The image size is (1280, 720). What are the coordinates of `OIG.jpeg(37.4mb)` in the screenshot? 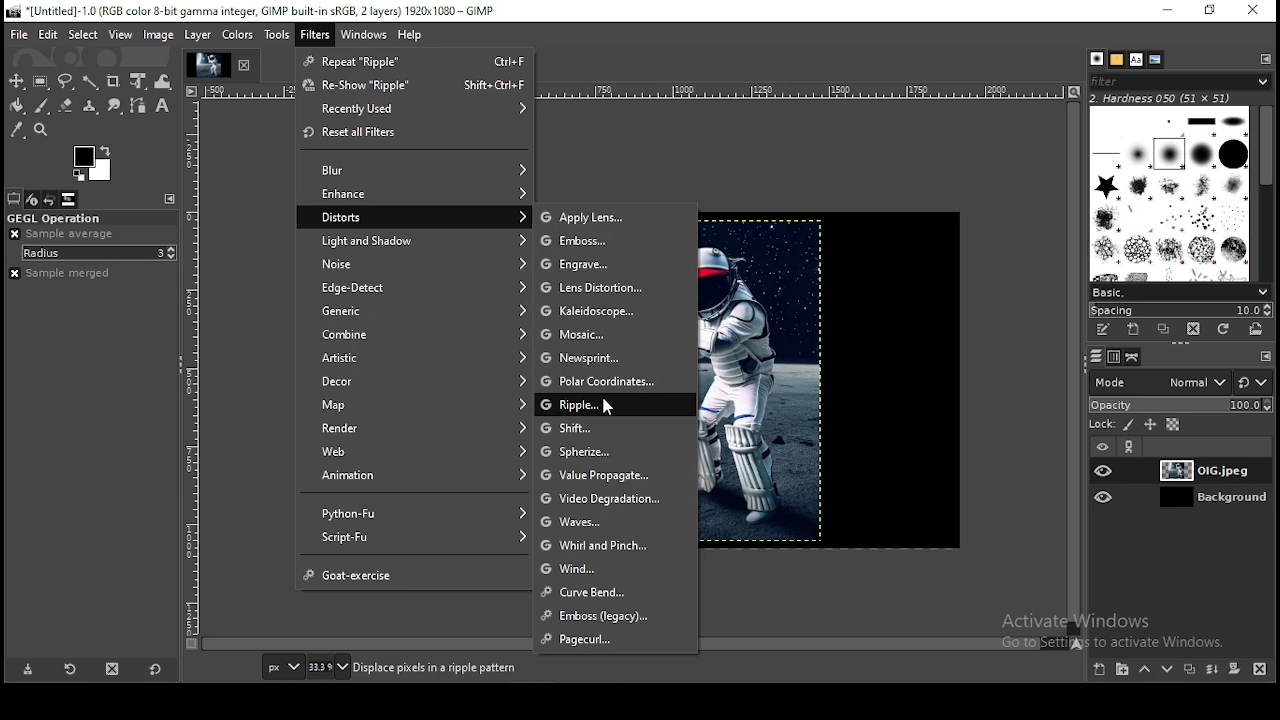 It's located at (435, 668).